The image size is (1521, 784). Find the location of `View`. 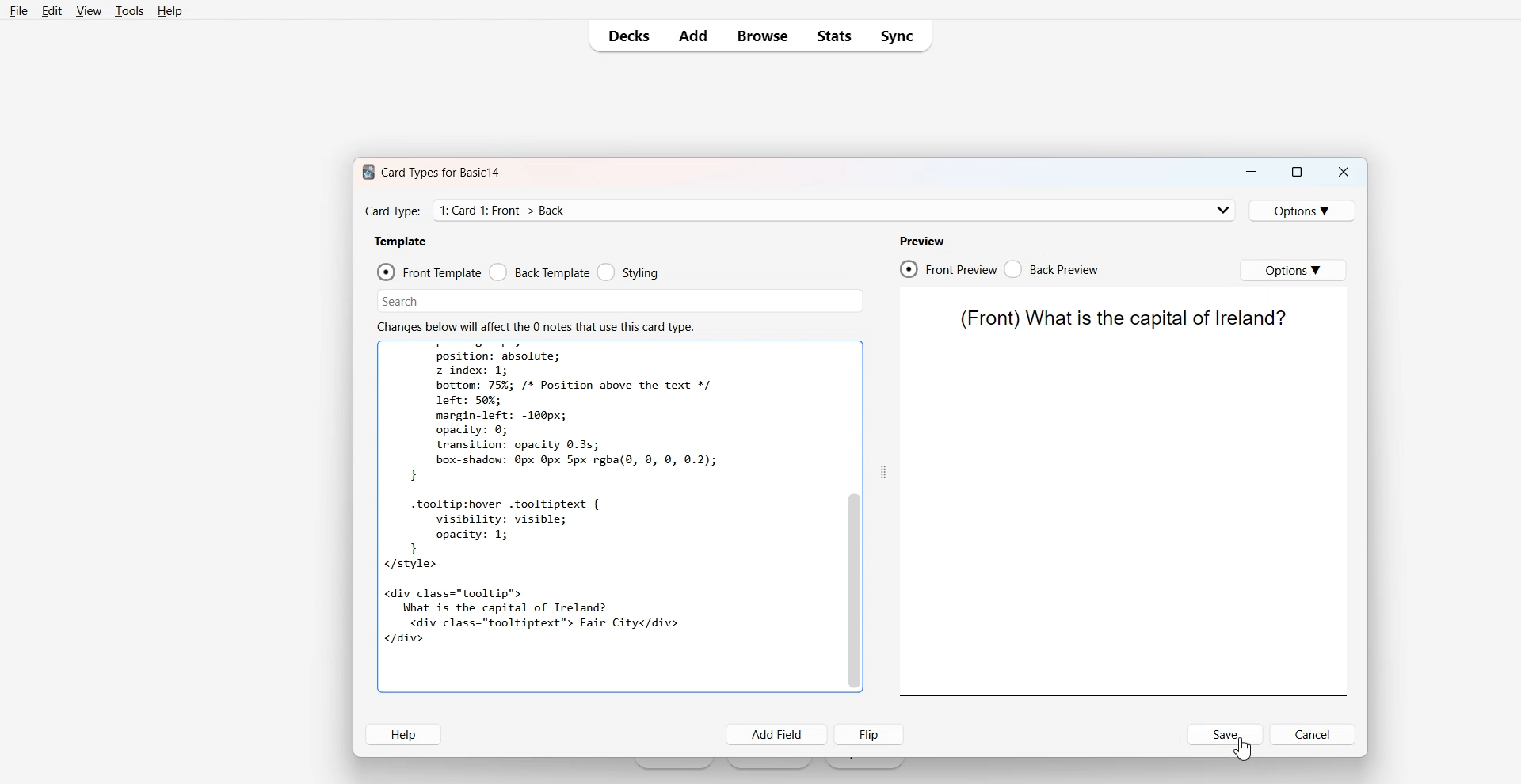

View is located at coordinates (88, 11).